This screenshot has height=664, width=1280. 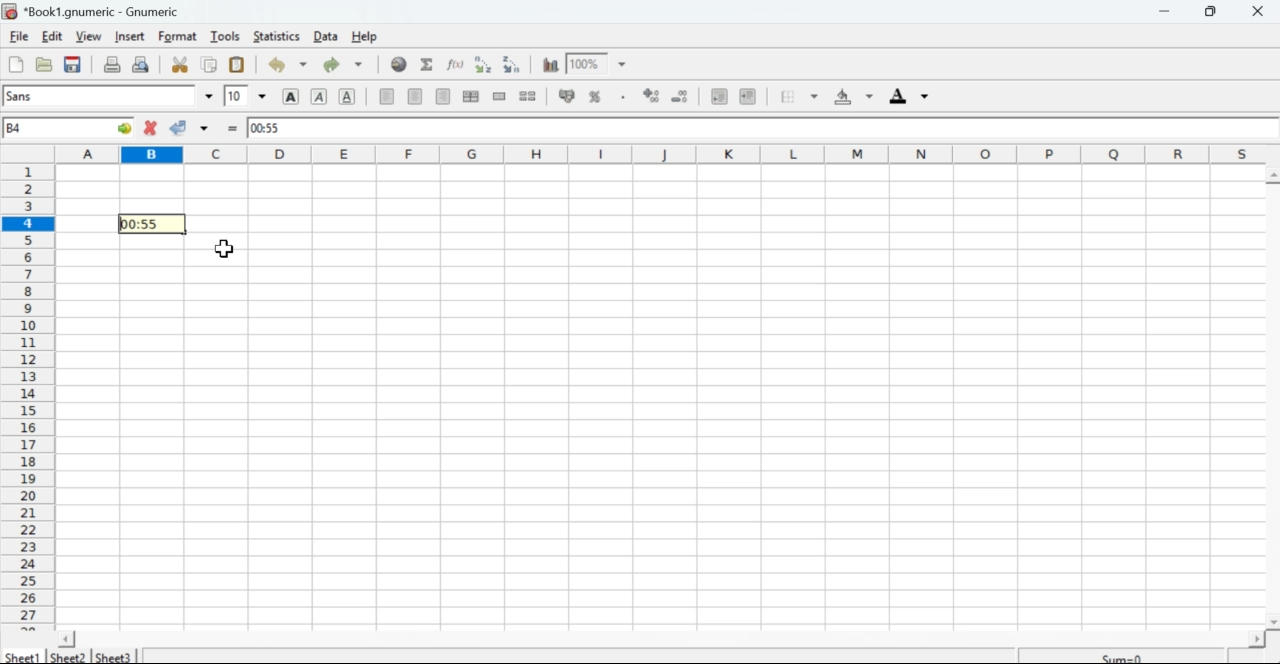 What do you see at coordinates (319, 98) in the screenshot?
I see `Italics` at bounding box center [319, 98].